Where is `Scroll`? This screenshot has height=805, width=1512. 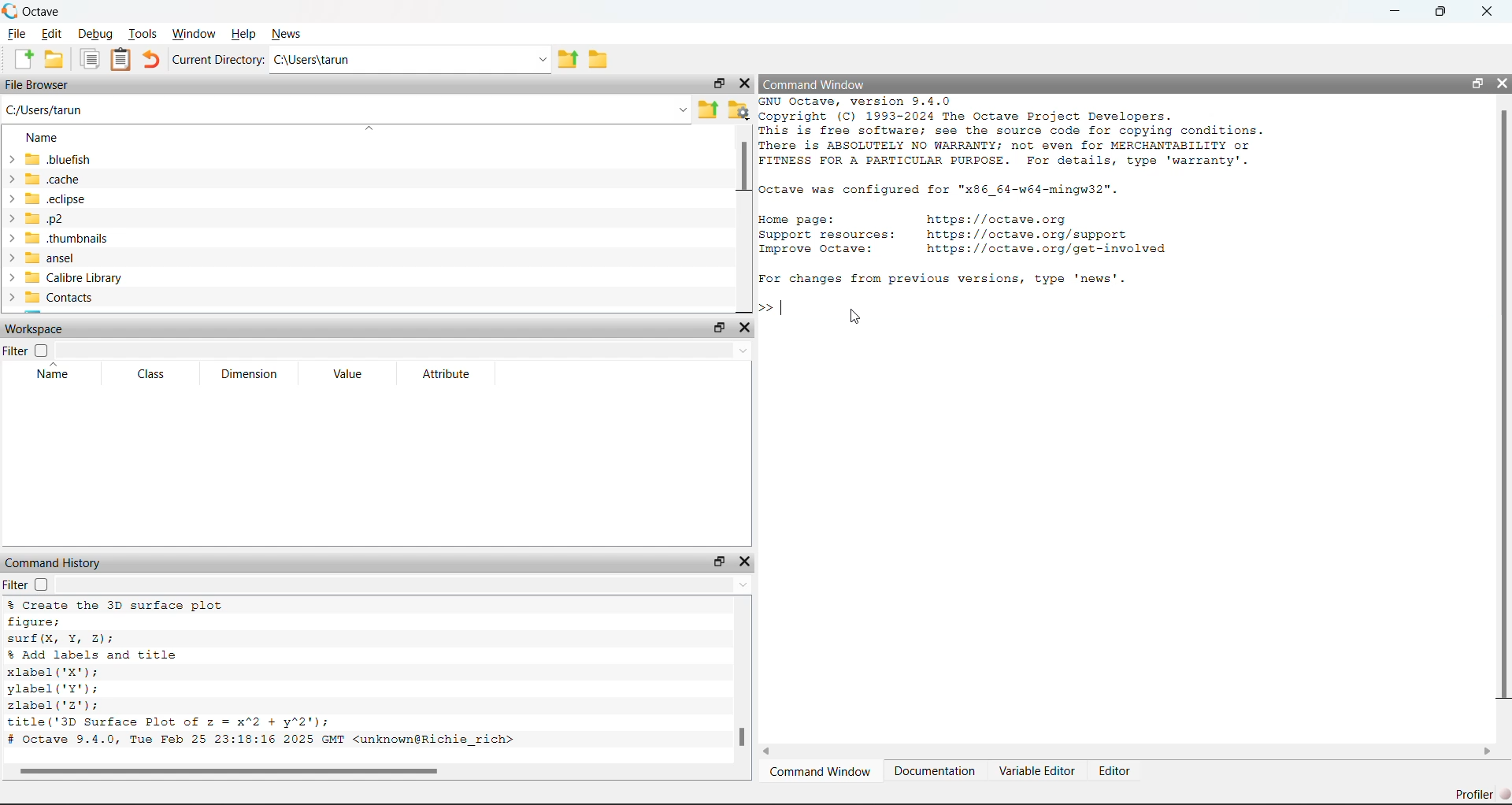 Scroll is located at coordinates (1504, 419).